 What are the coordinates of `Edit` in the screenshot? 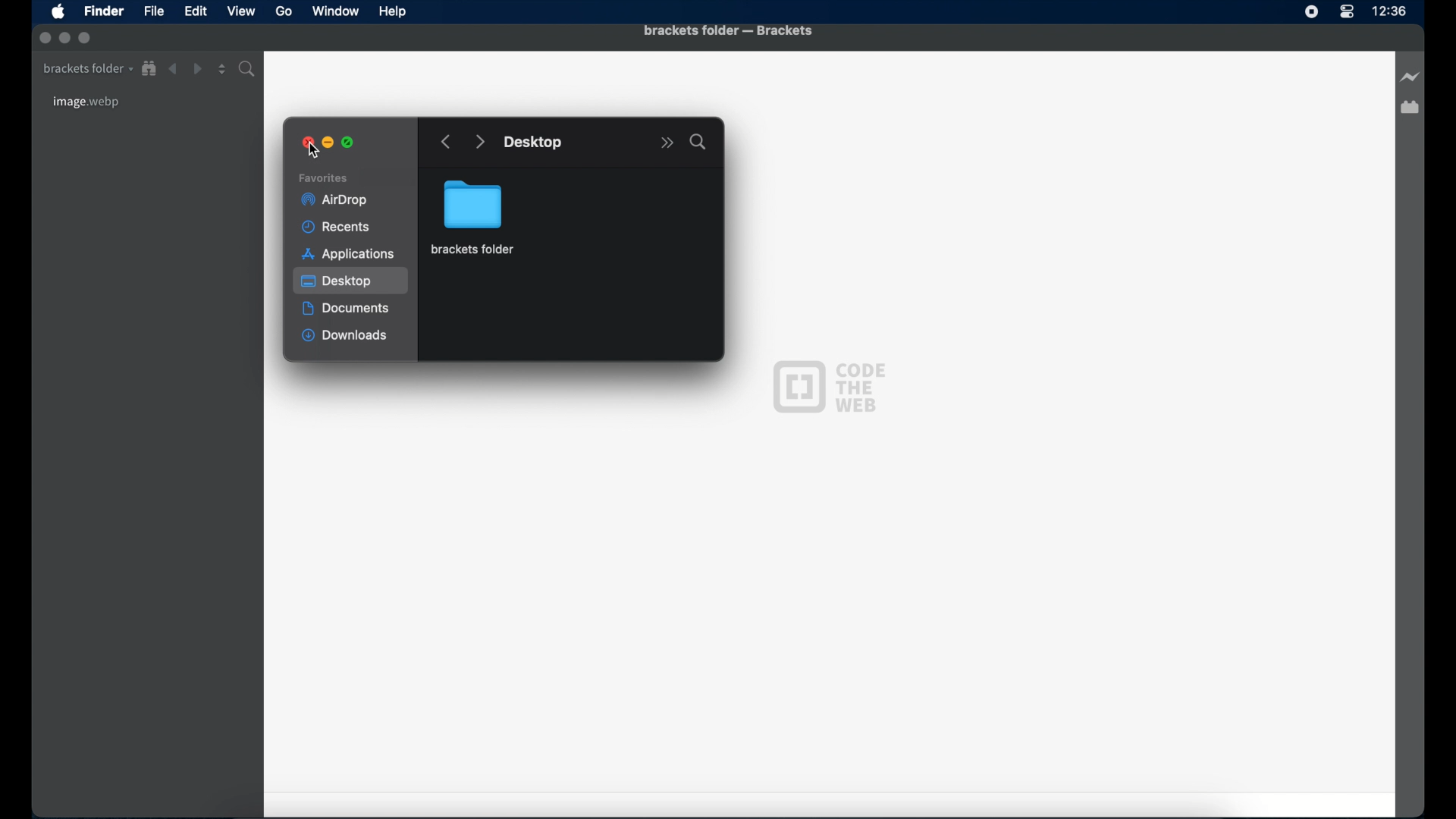 It's located at (196, 12).